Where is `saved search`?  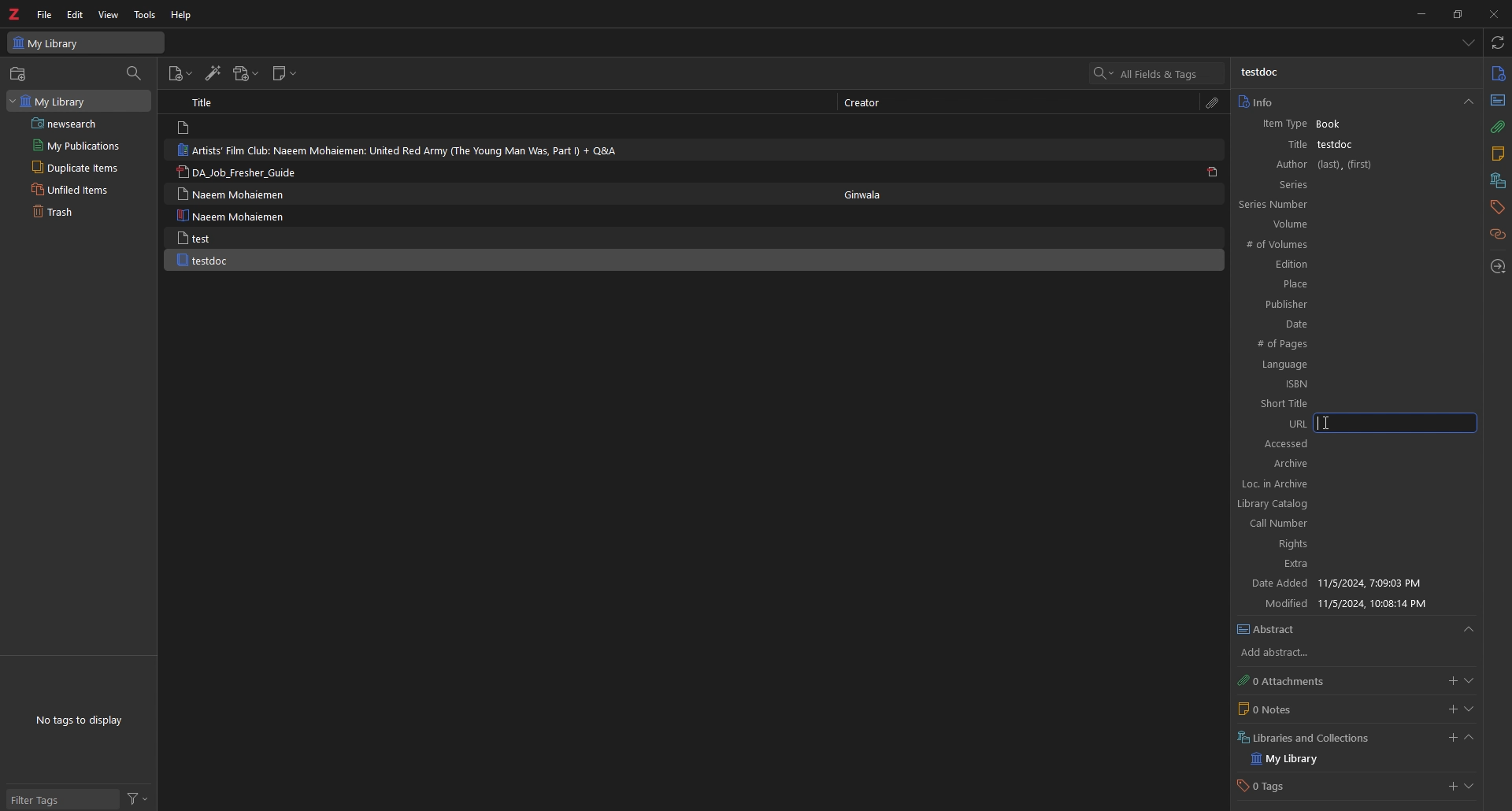
saved search is located at coordinates (82, 123).